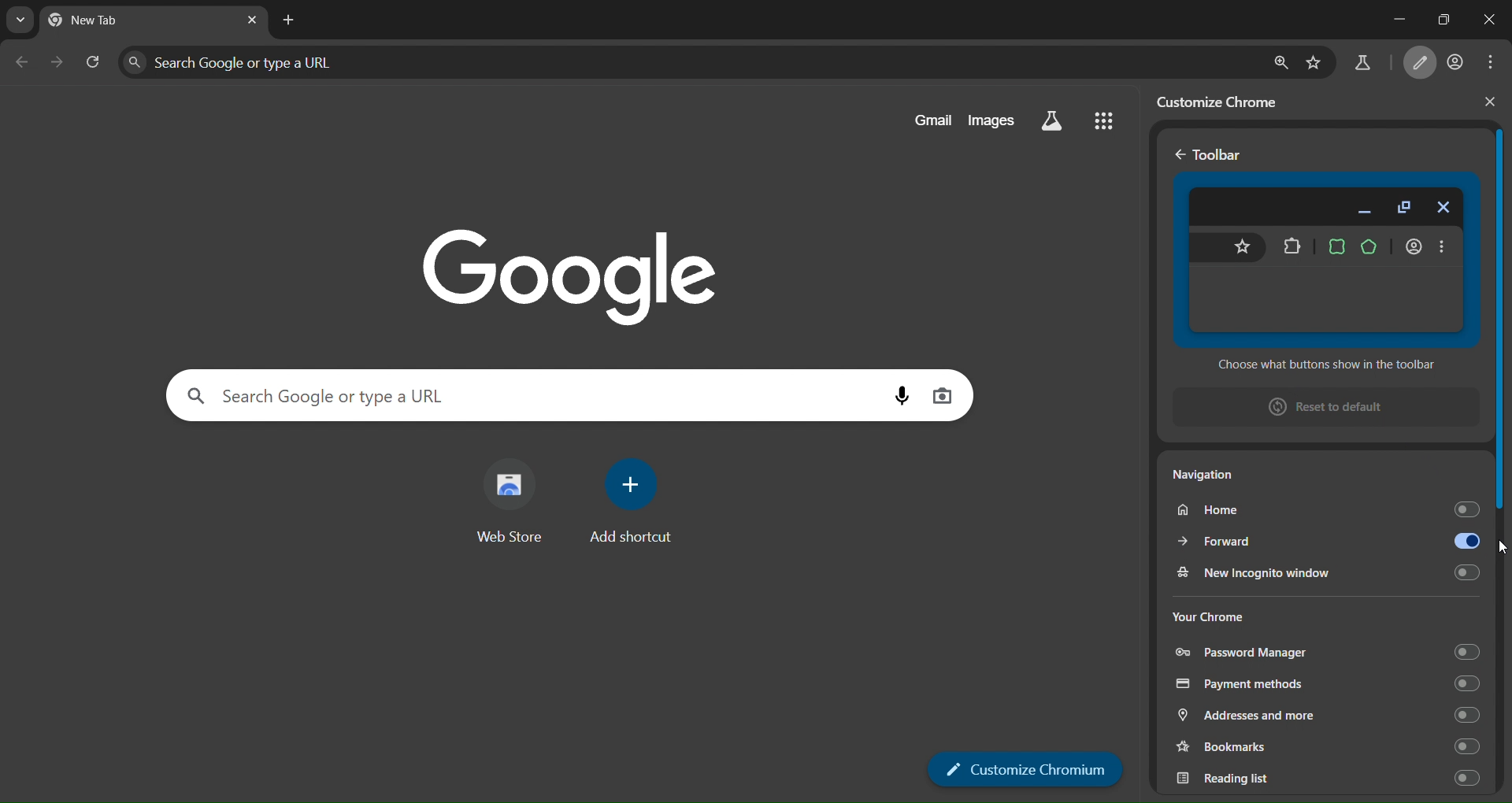 This screenshot has height=803, width=1512. I want to click on close, so click(1490, 102).